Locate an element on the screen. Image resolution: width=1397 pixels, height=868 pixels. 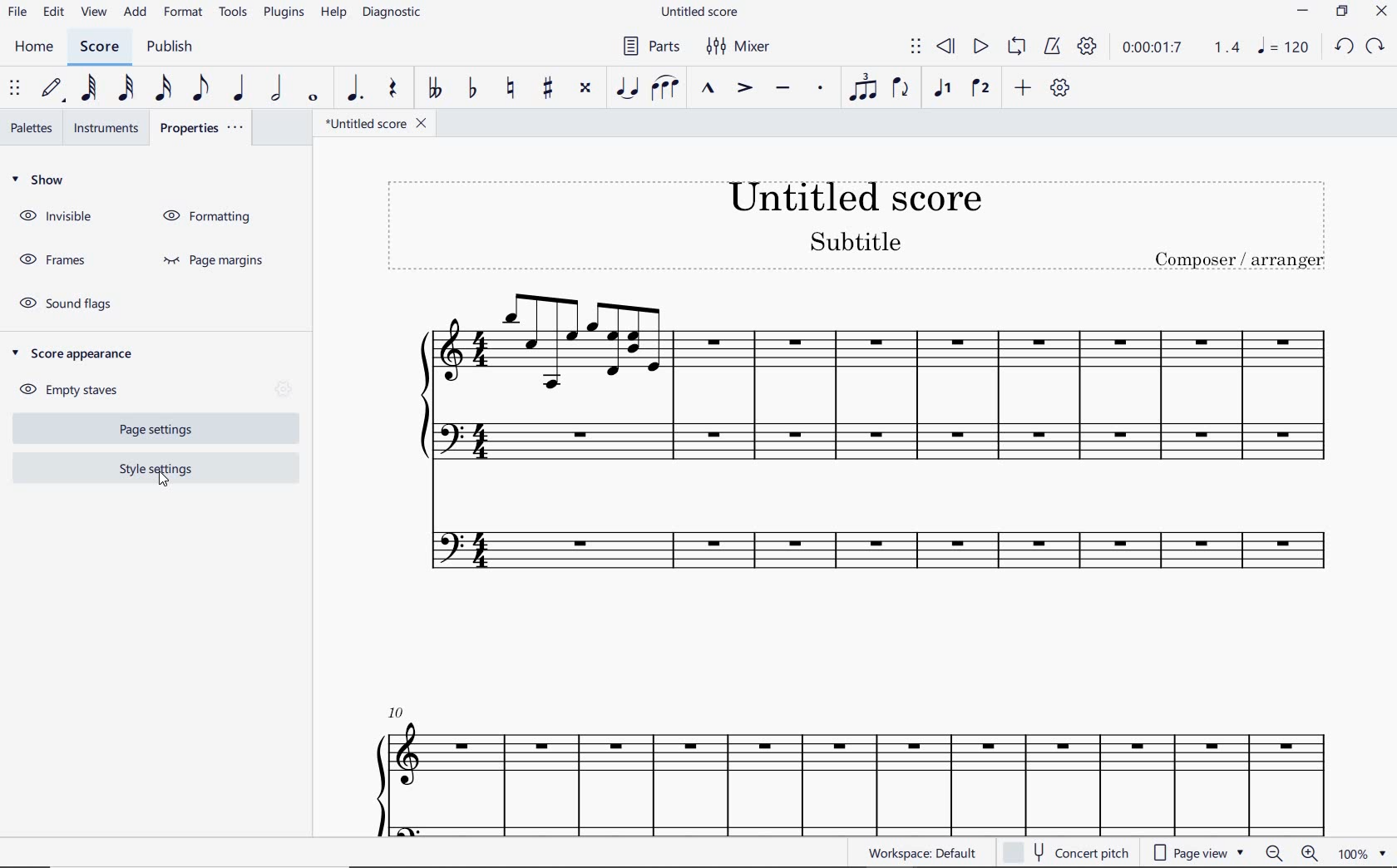
STACCATO is located at coordinates (821, 91).